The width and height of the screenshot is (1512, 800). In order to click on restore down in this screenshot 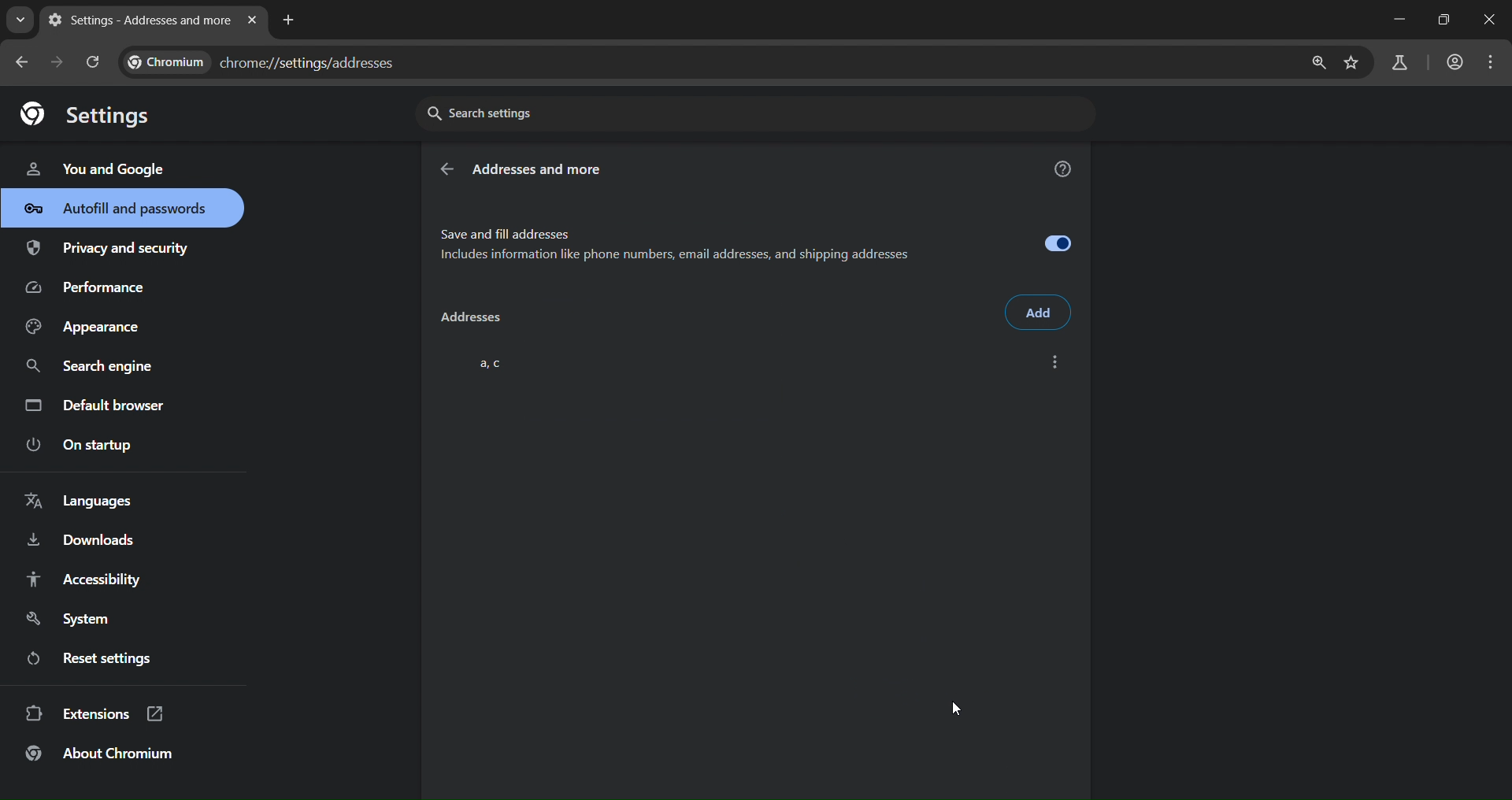, I will do `click(1441, 20)`.